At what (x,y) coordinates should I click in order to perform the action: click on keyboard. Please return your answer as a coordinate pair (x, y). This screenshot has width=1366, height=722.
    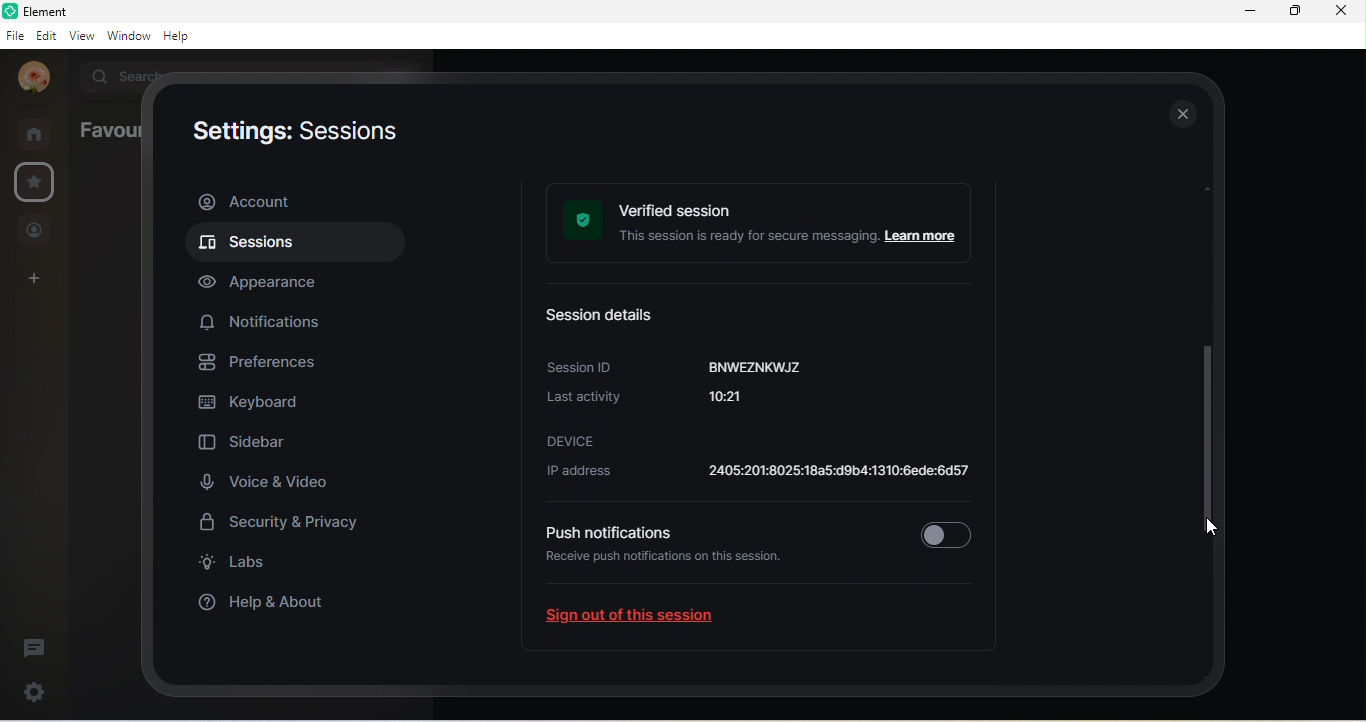
    Looking at the image, I should click on (255, 405).